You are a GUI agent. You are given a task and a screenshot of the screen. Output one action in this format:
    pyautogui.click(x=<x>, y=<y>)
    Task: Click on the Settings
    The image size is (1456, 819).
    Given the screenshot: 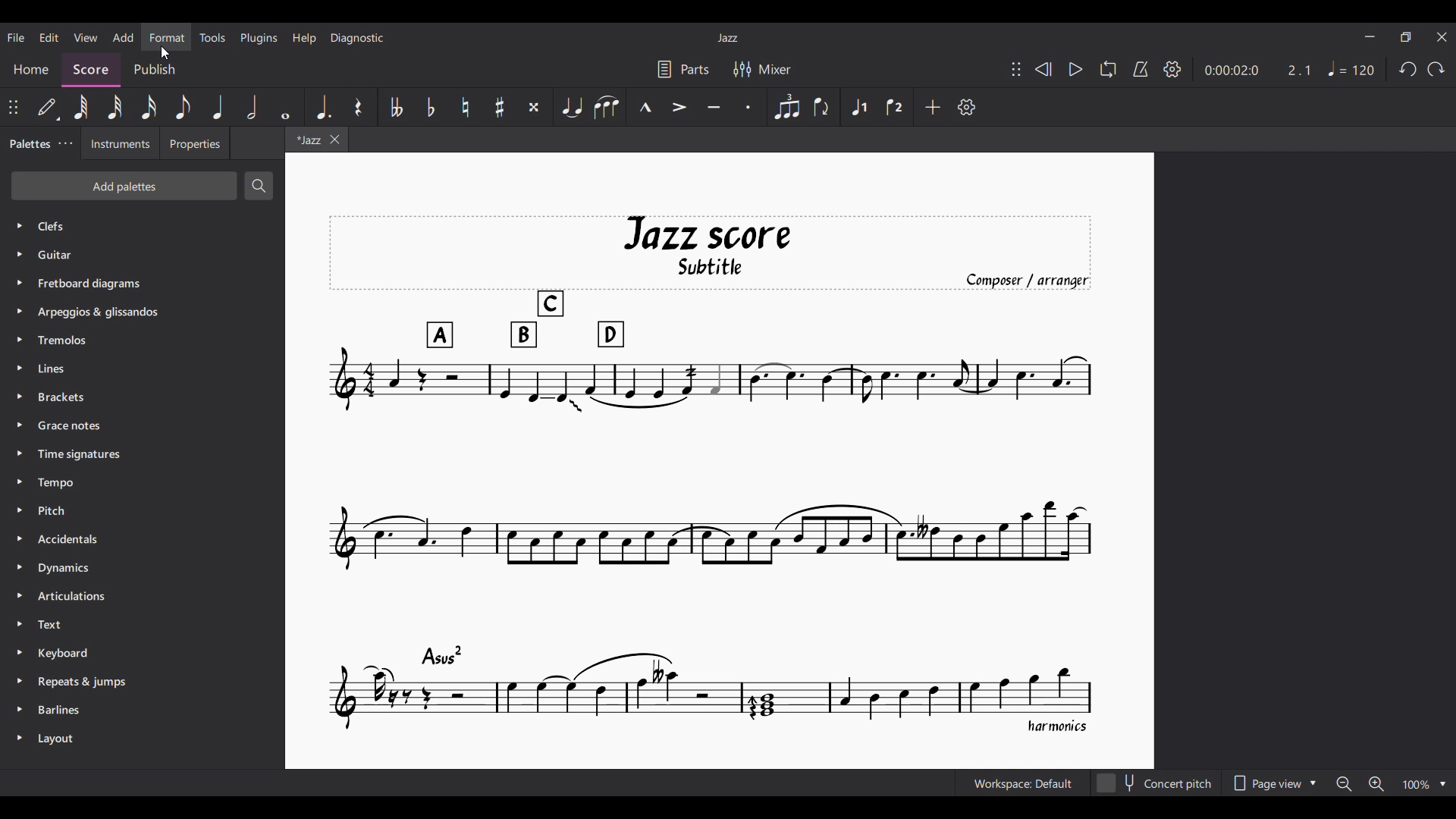 What is the action you would take?
    pyautogui.click(x=1172, y=69)
    